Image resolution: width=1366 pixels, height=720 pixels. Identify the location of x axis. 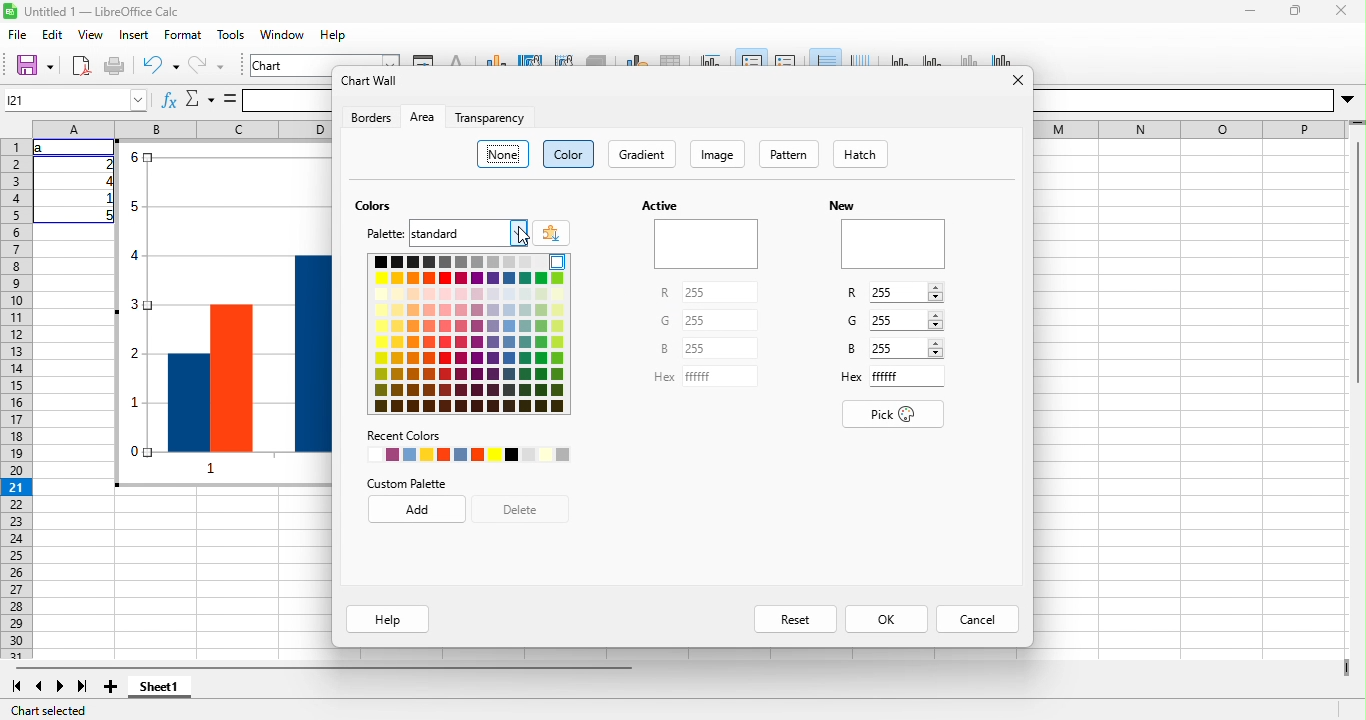
(901, 58).